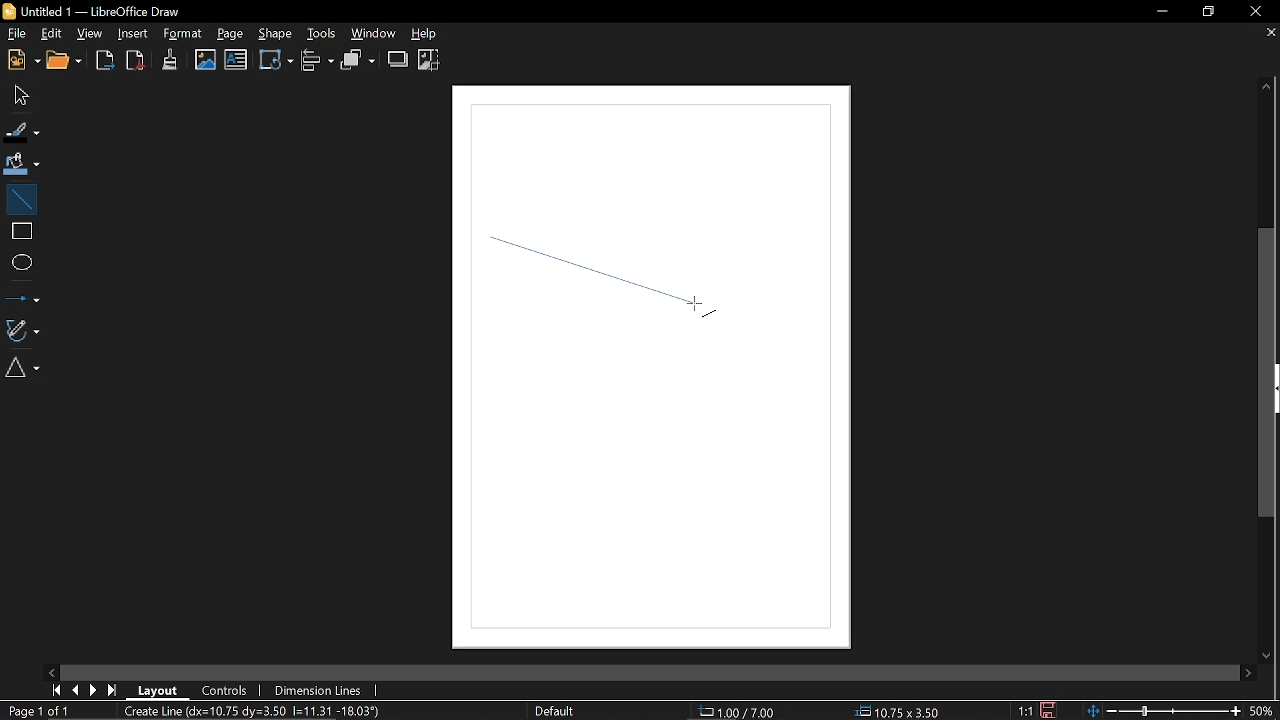 This screenshot has height=720, width=1280. What do you see at coordinates (20, 131) in the screenshot?
I see `Fll line` at bounding box center [20, 131].